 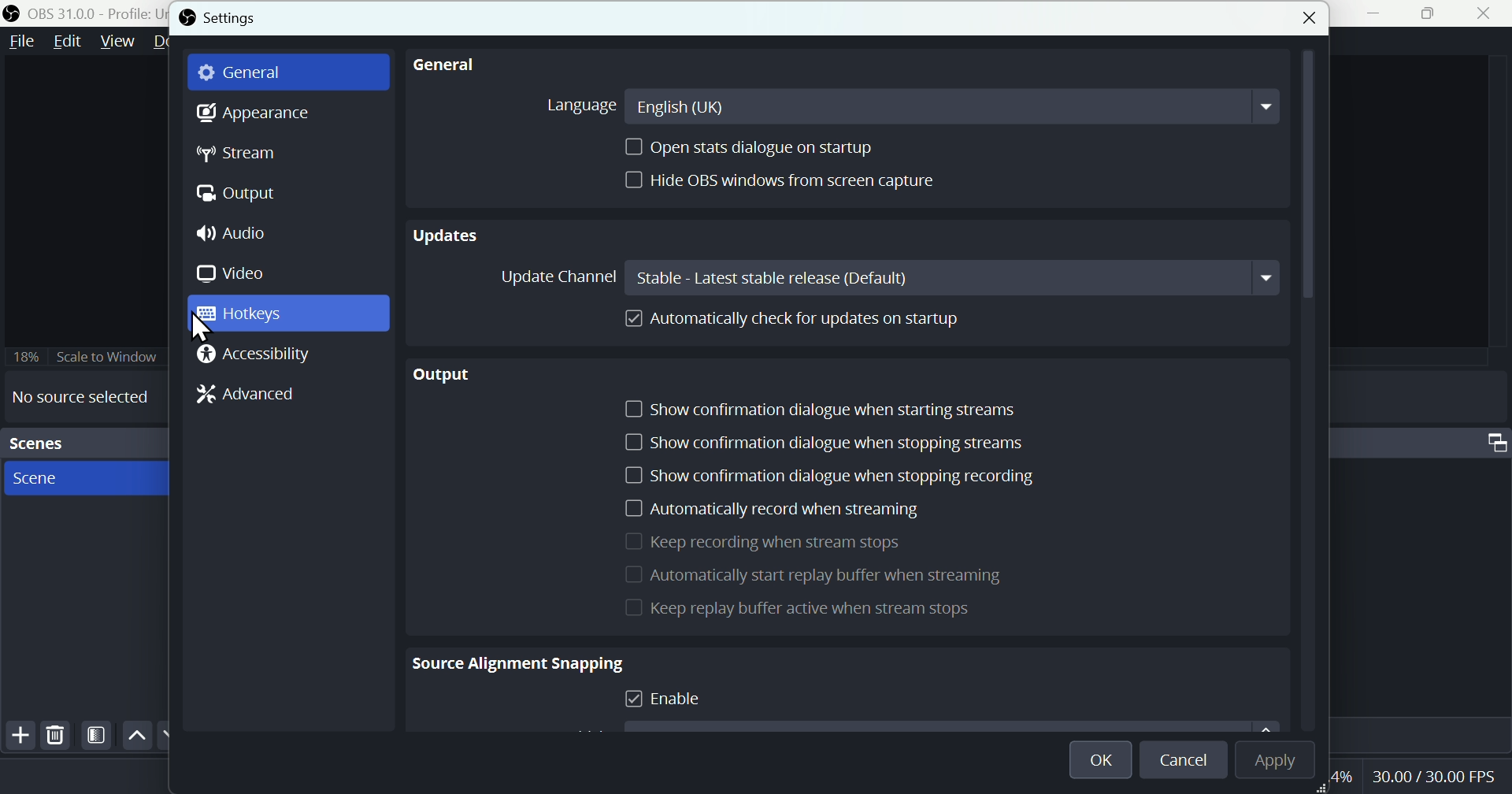 What do you see at coordinates (955, 104) in the screenshot?
I see `English U K` at bounding box center [955, 104].